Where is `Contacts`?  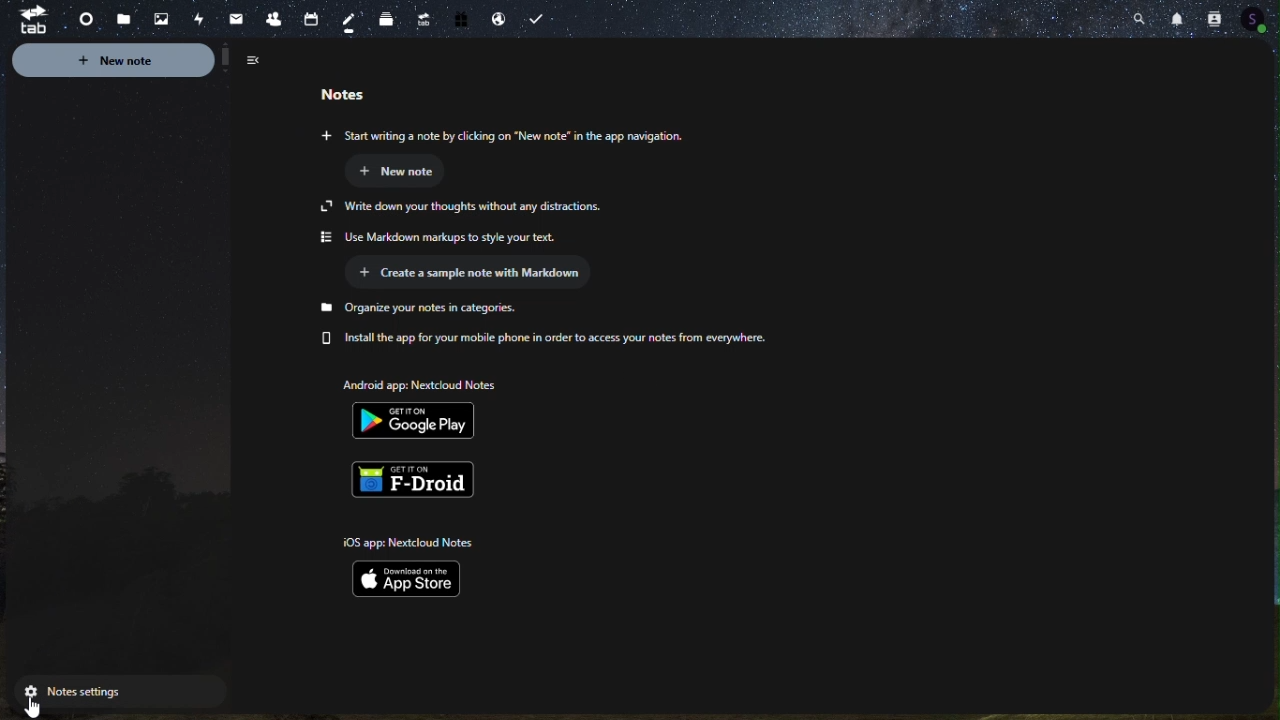 Contacts is located at coordinates (1214, 17).